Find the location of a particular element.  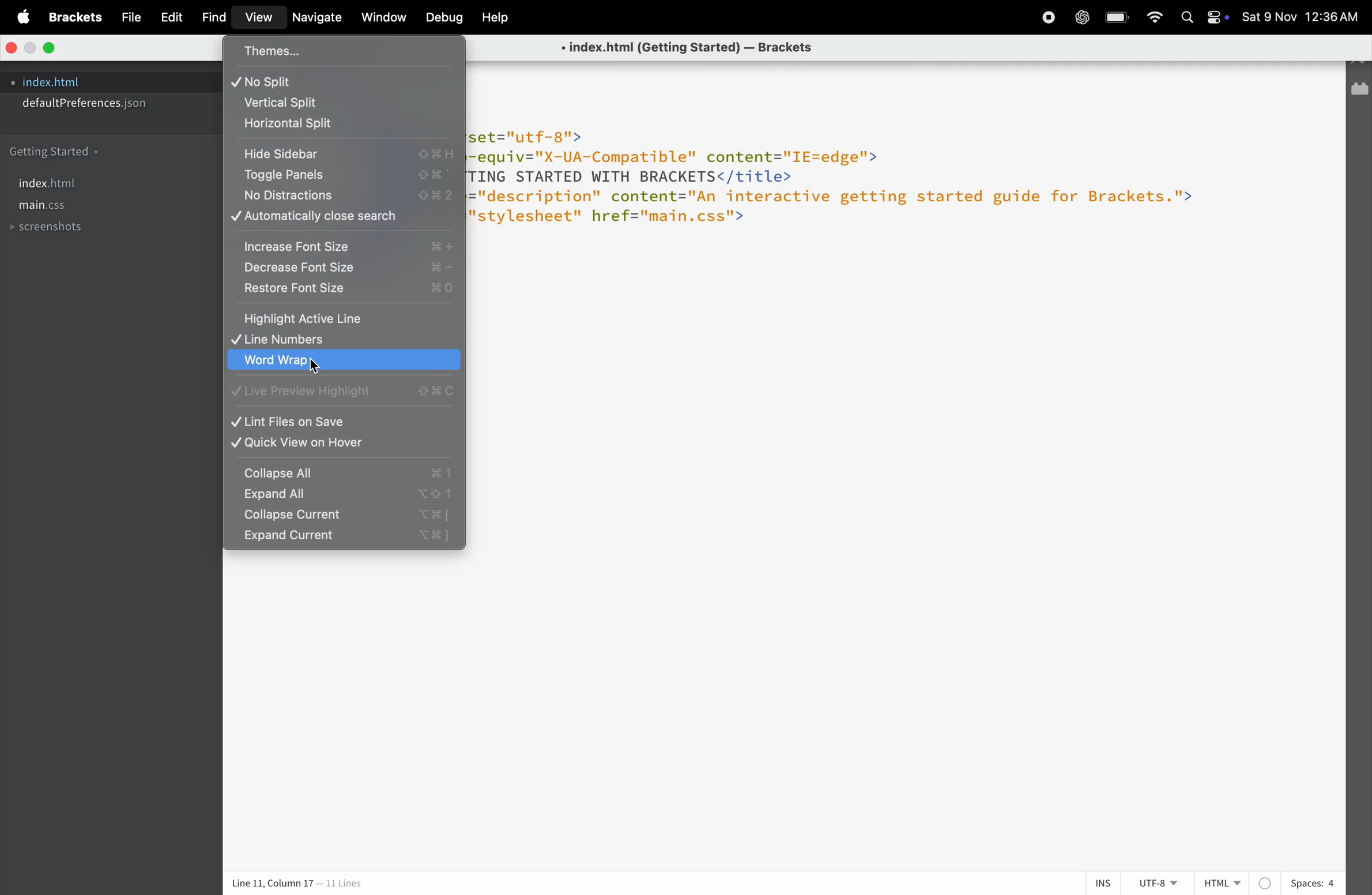

help is located at coordinates (493, 19).